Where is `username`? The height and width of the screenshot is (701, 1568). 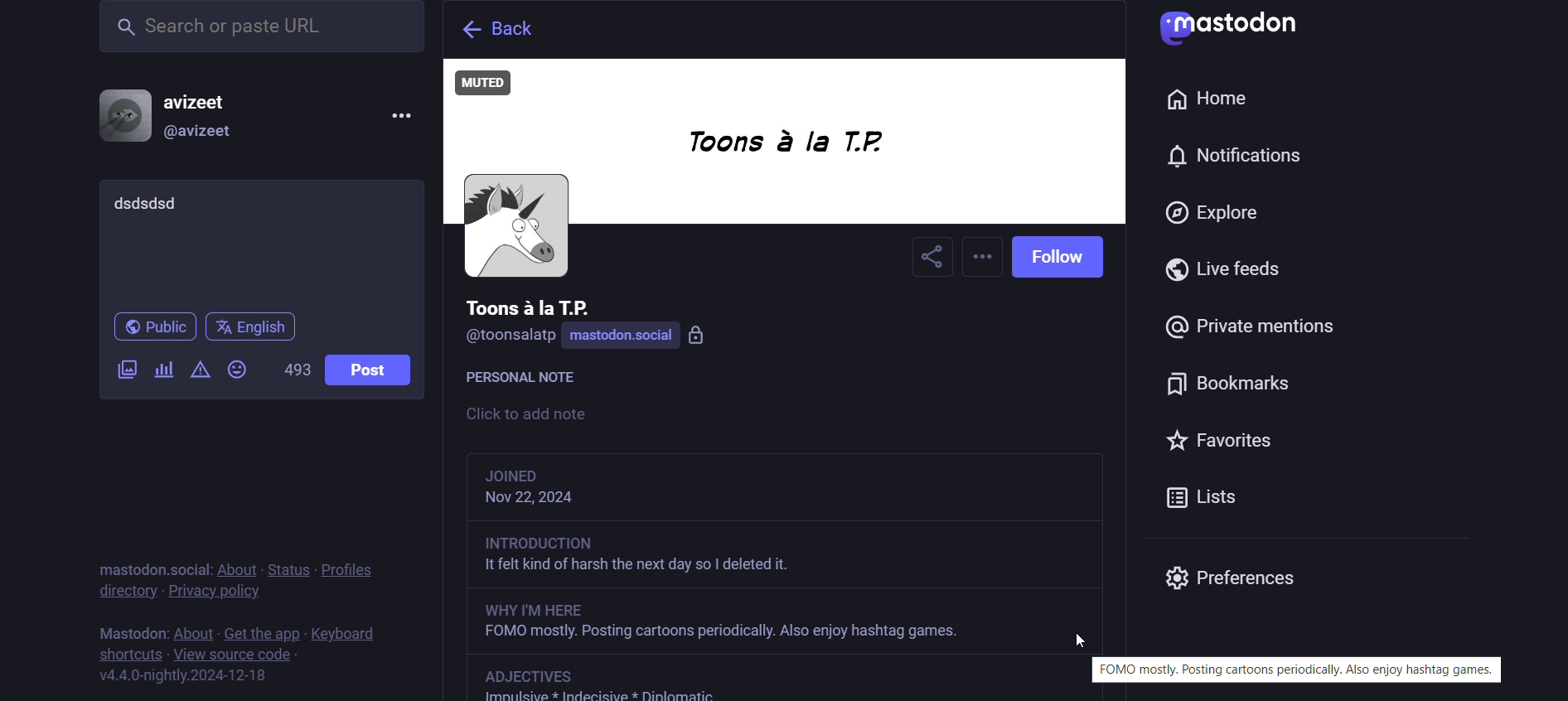
username is located at coordinates (529, 306).